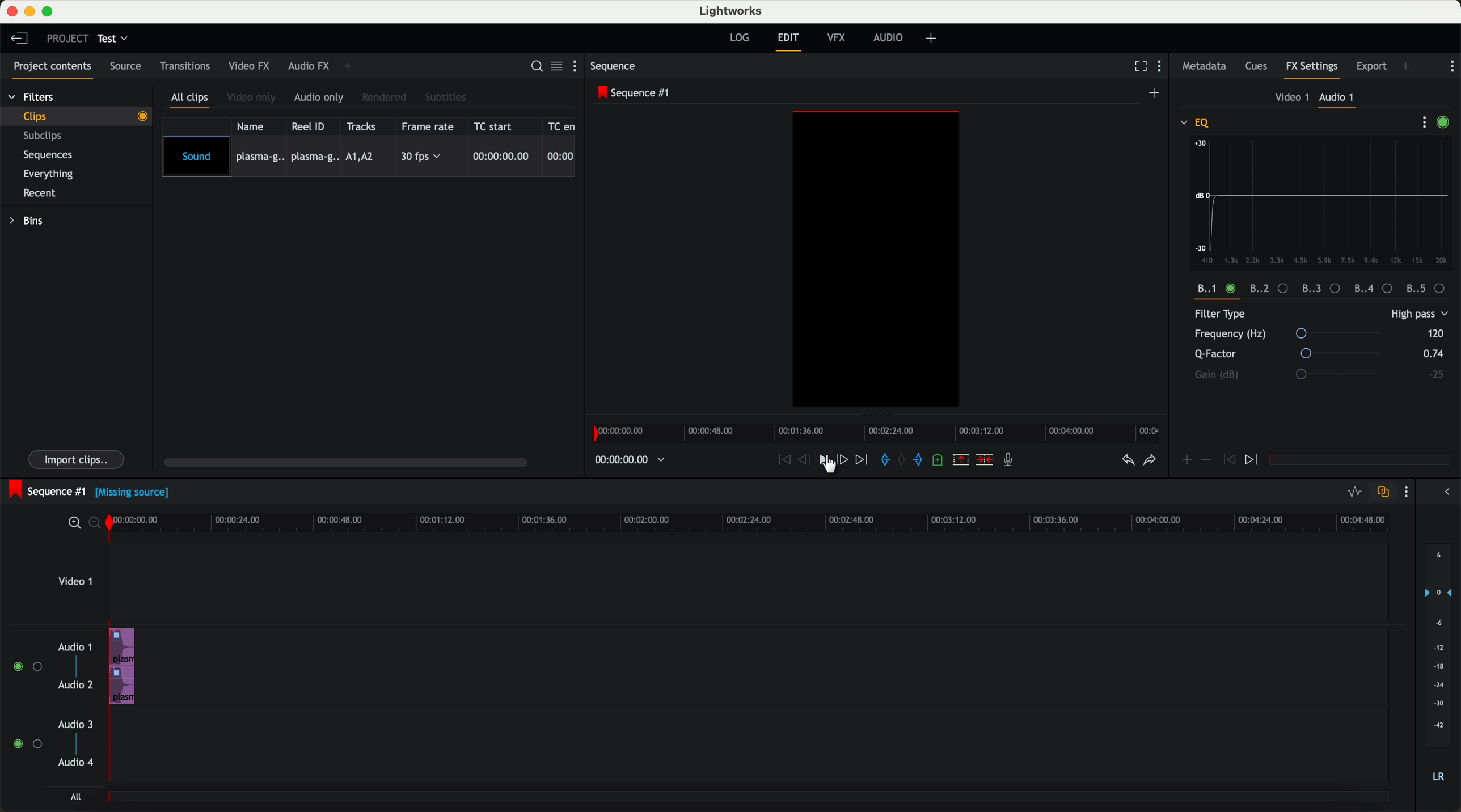  What do you see at coordinates (1323, 202) in the screenshot?
I see `EQ graphic` at bounding box center [1323, 202].